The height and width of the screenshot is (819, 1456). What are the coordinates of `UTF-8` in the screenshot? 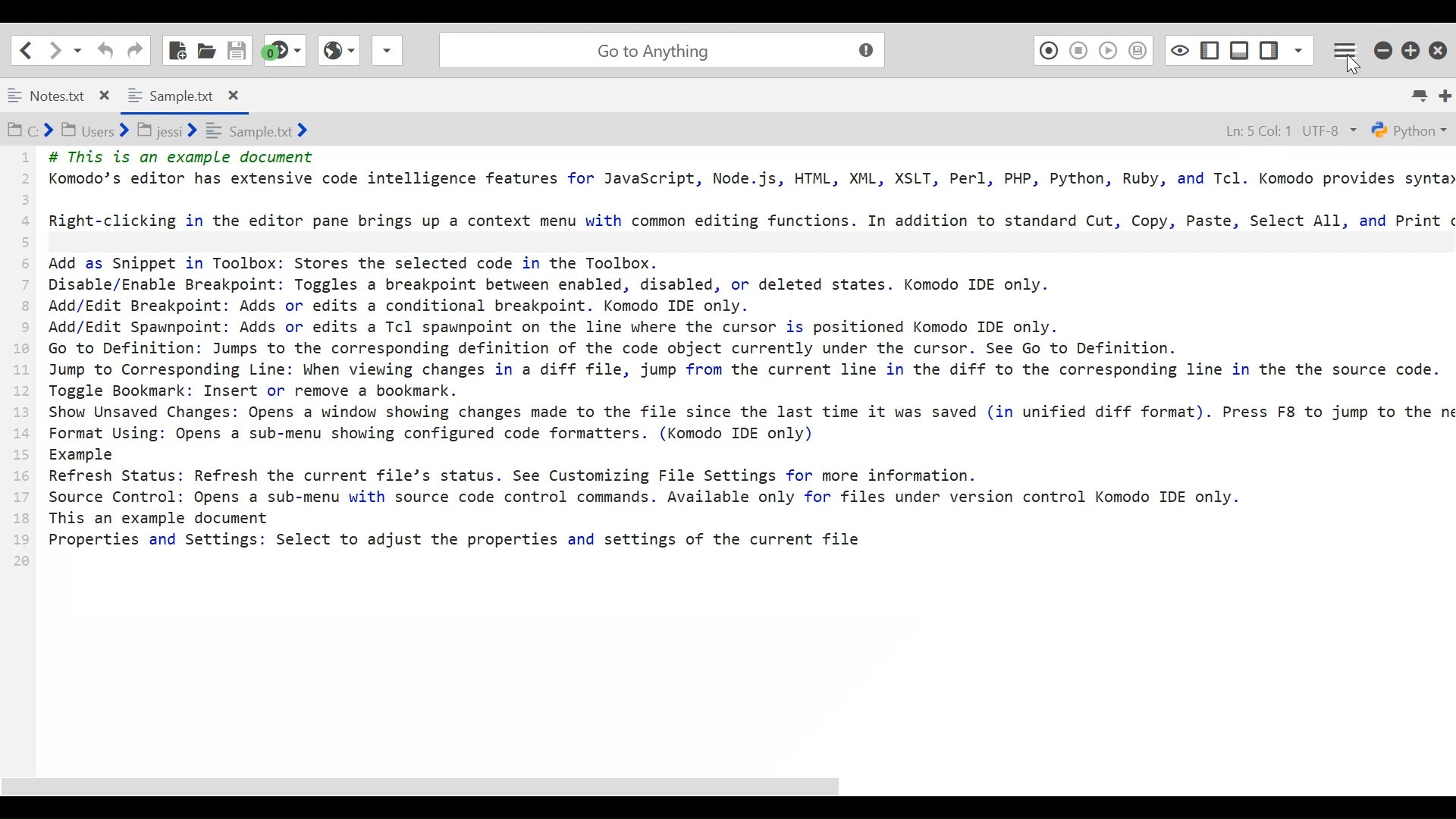 It's located at (1334, 130).